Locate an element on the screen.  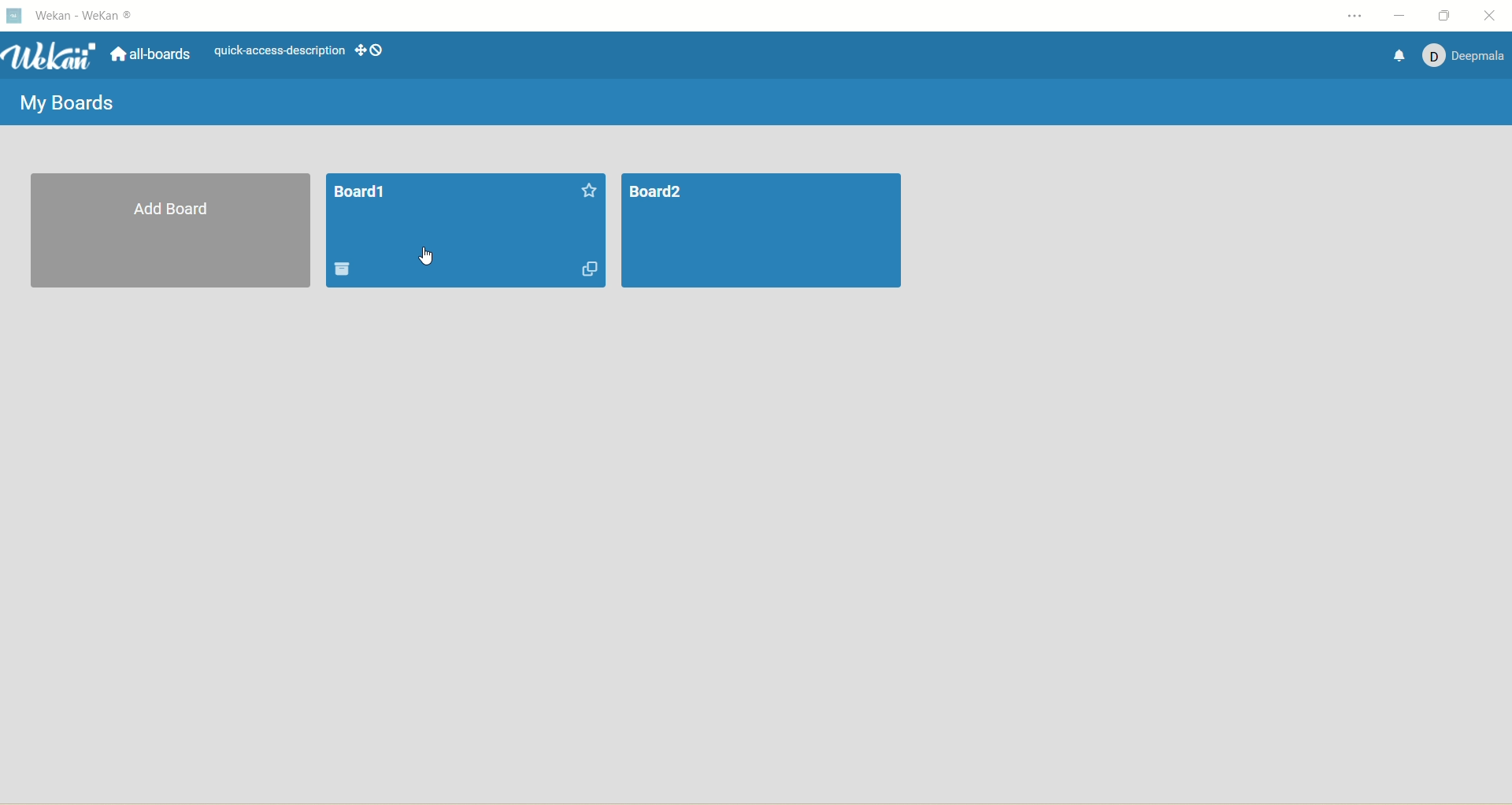
add board is located at coordinates (172, 233).